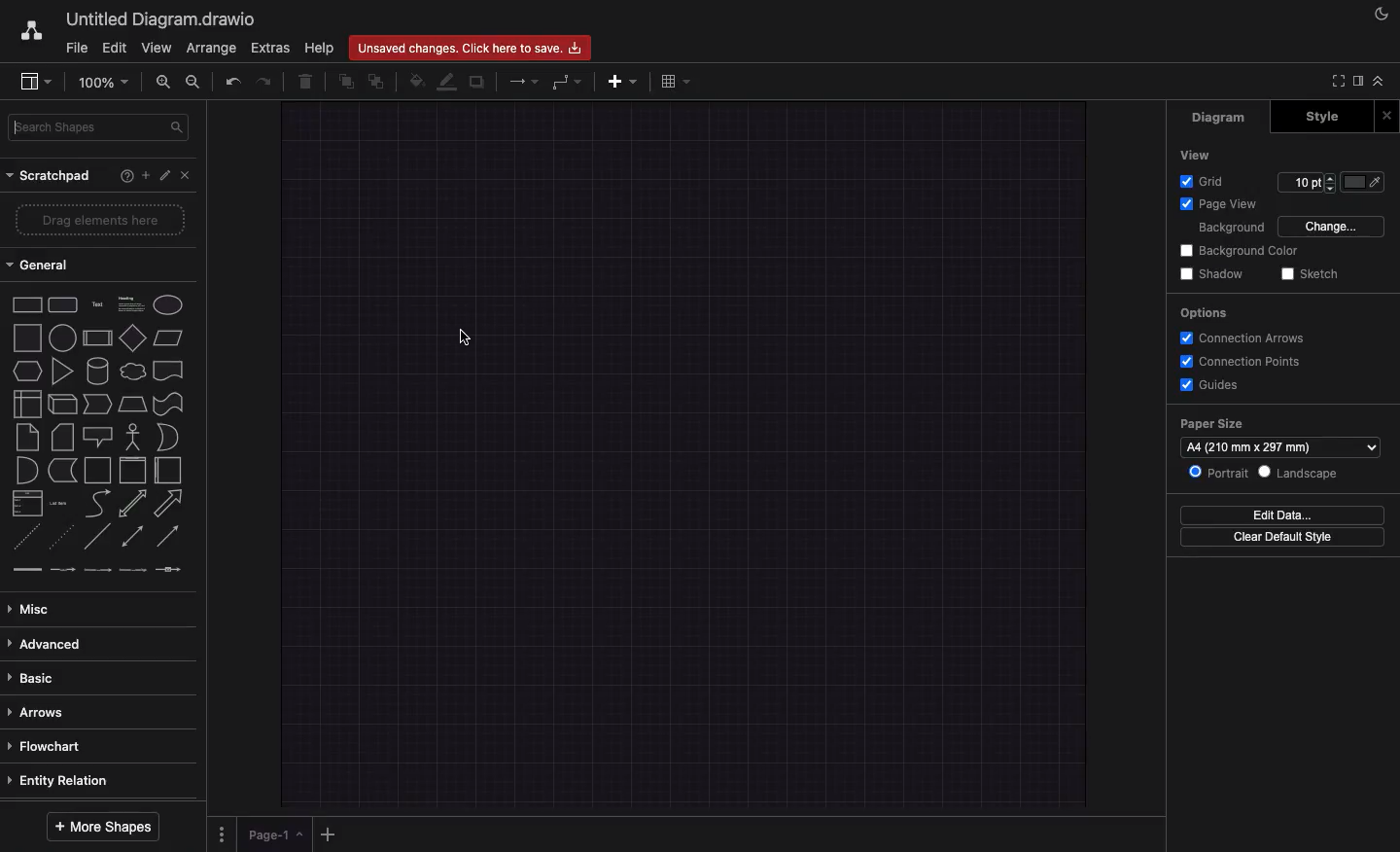 The height and width of the screenshot is (852, 1400). What do you see at coordinates (448, 83) in the screenshot?
I see `Line color` at bounding box center [448, 83].